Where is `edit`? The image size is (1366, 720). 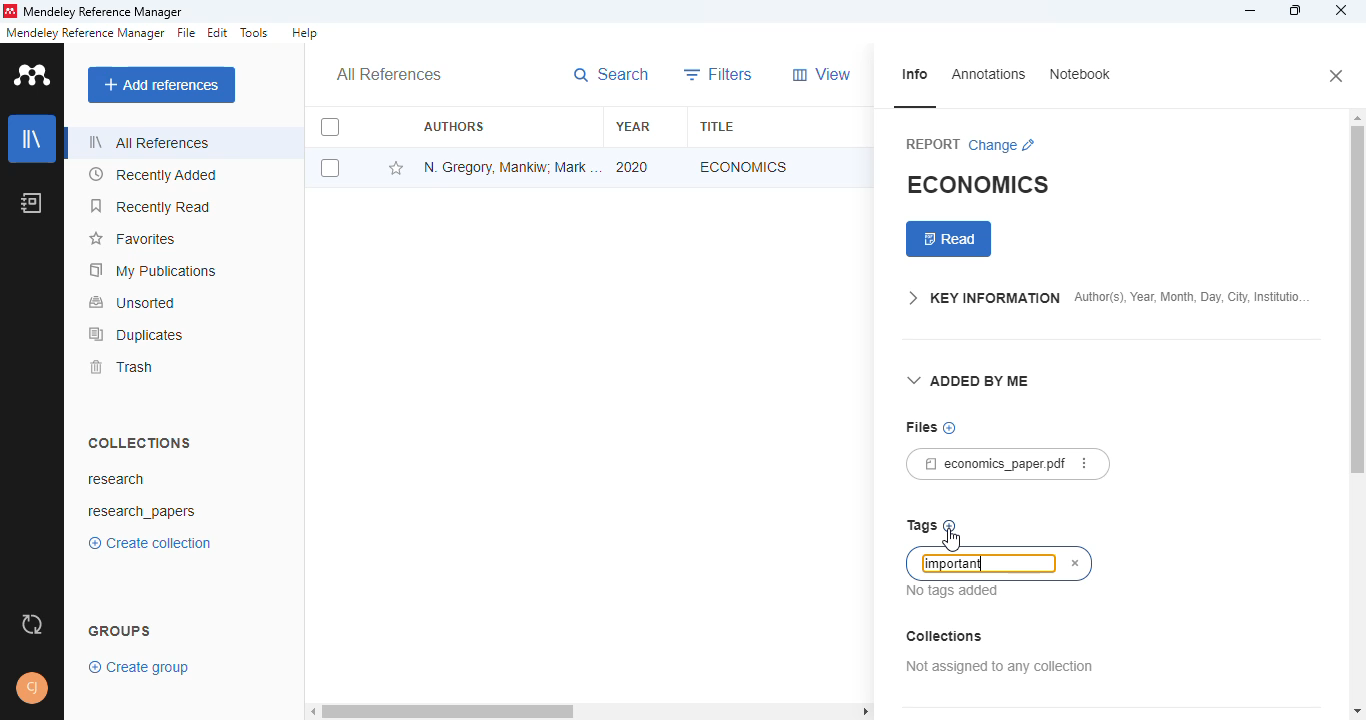 edit is located at coordinates (219, 32).